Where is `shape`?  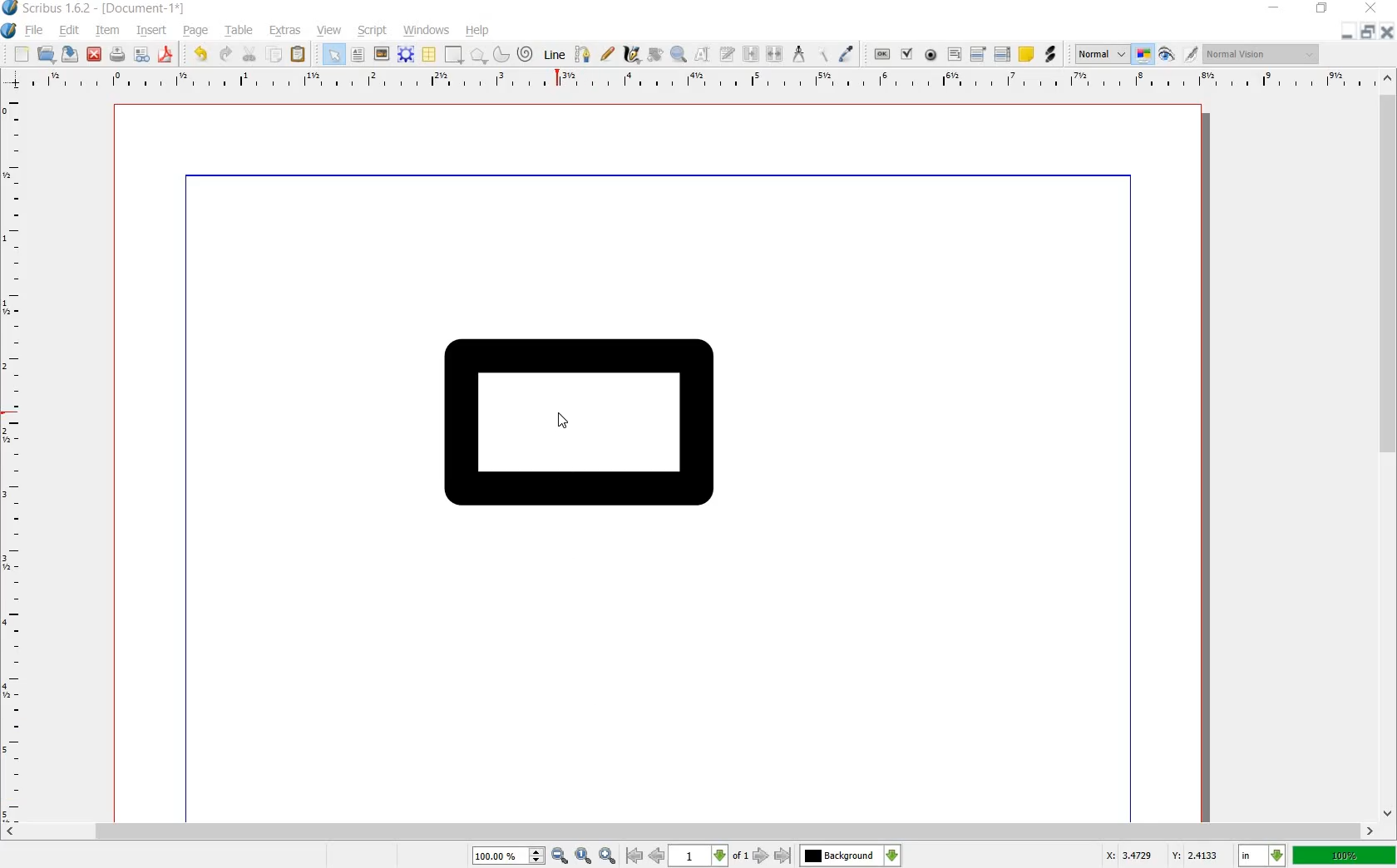 shape is located at coordinates (452, 55).